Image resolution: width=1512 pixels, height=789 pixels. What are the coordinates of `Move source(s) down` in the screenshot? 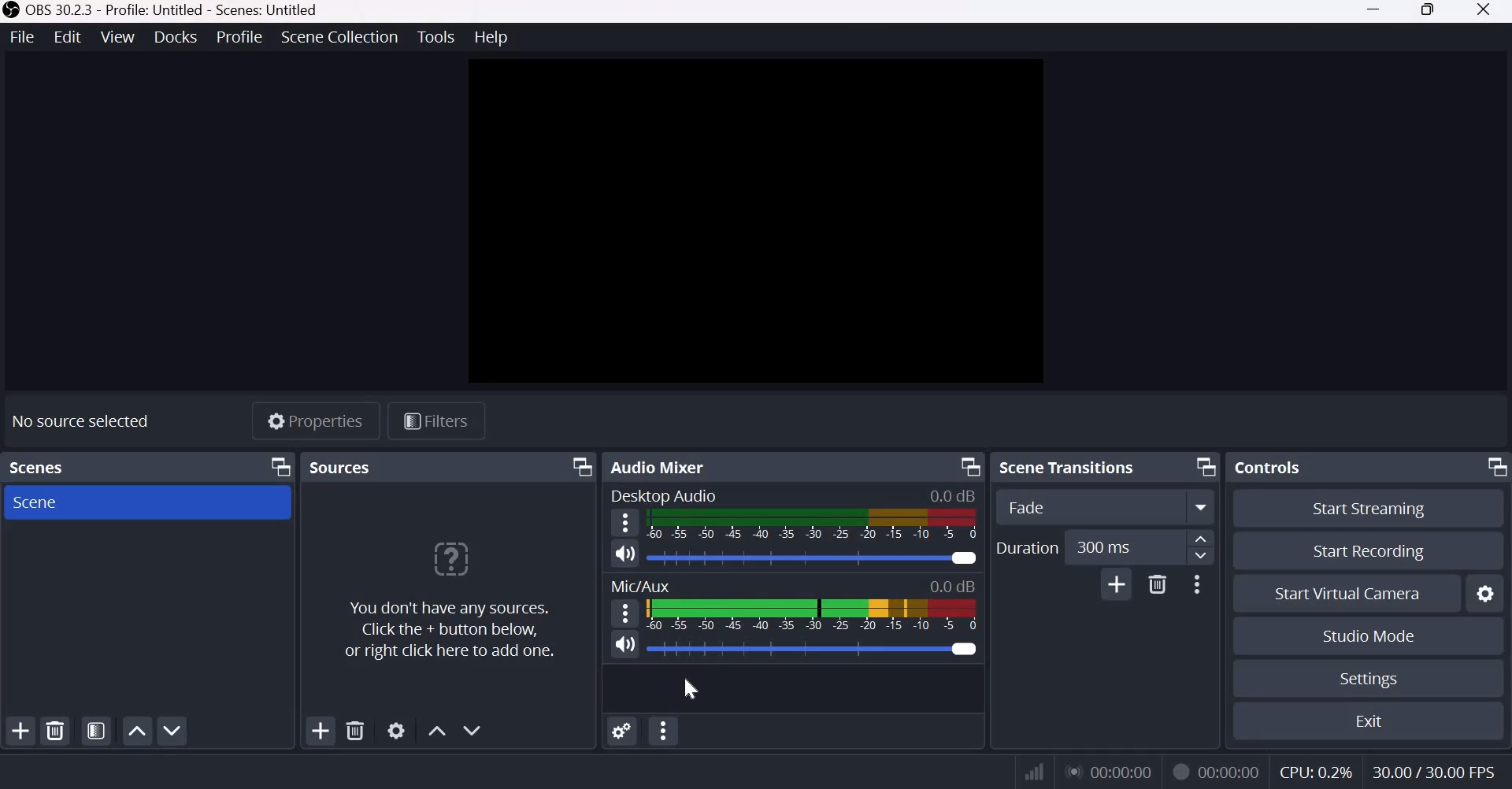 It's located at (473, 731).